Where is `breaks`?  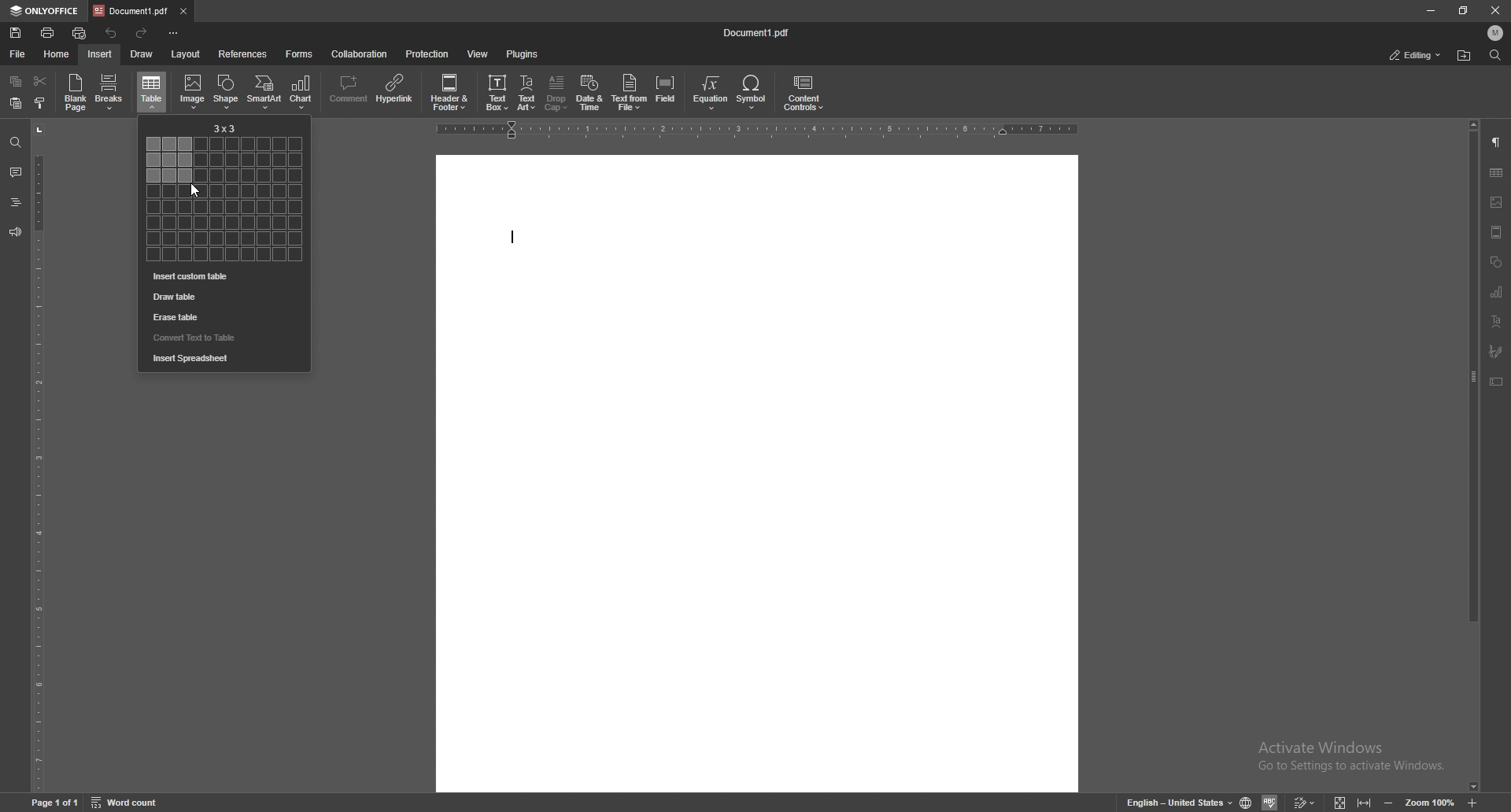 breaks is located at coordinates (111, 91).